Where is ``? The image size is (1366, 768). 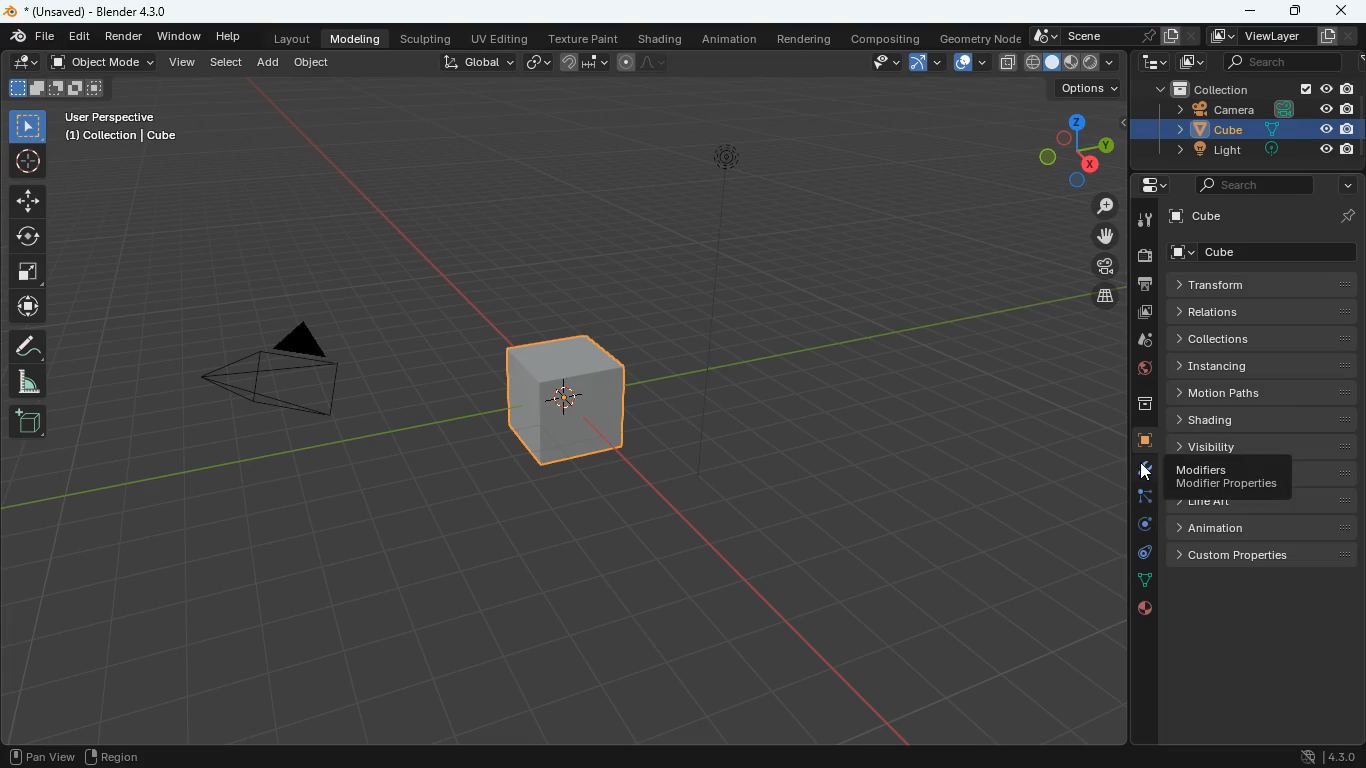
 is located at coordinates (1323, 109).